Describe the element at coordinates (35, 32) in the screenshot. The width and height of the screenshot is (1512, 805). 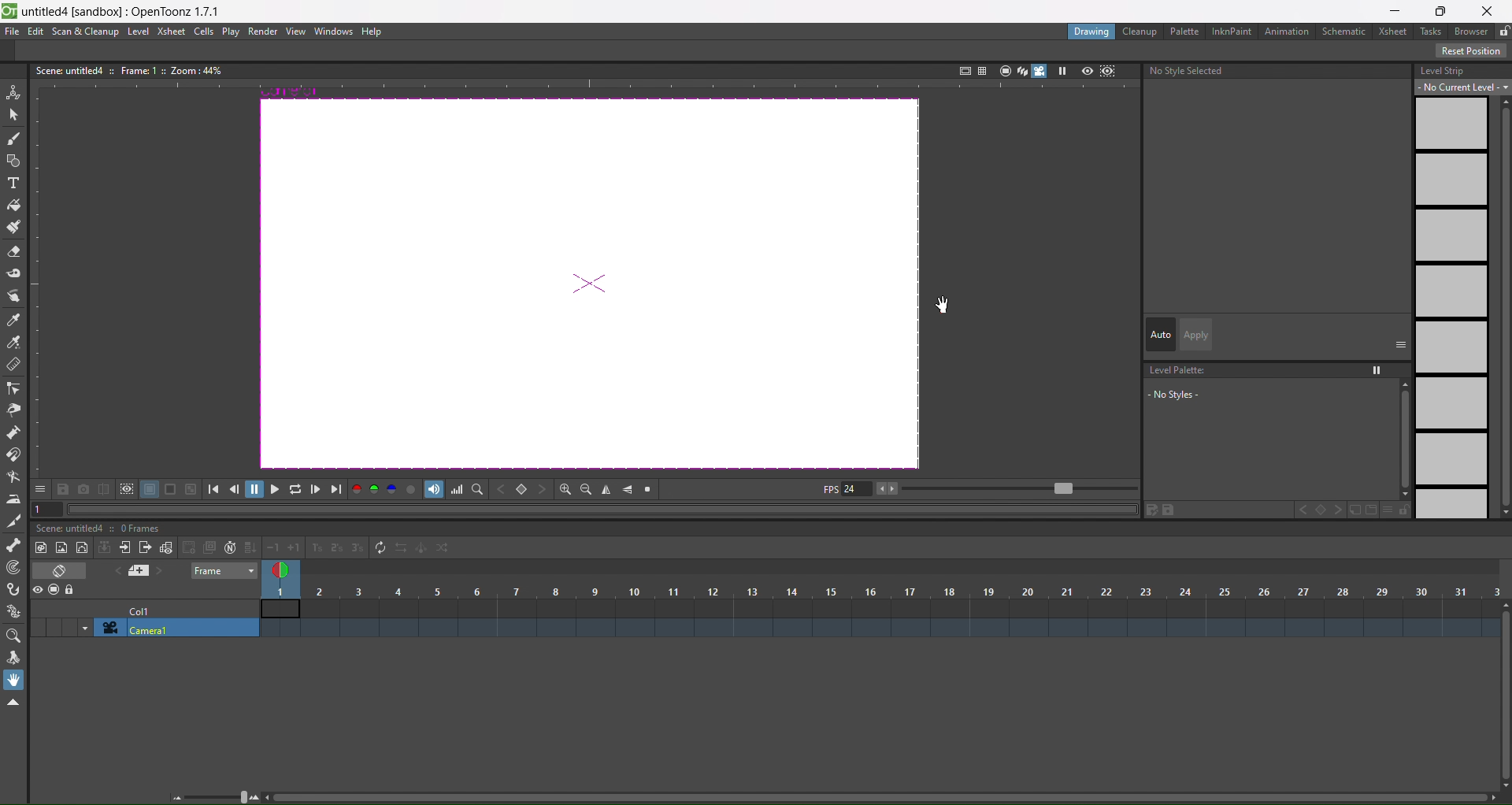
I see `edit` at that location.